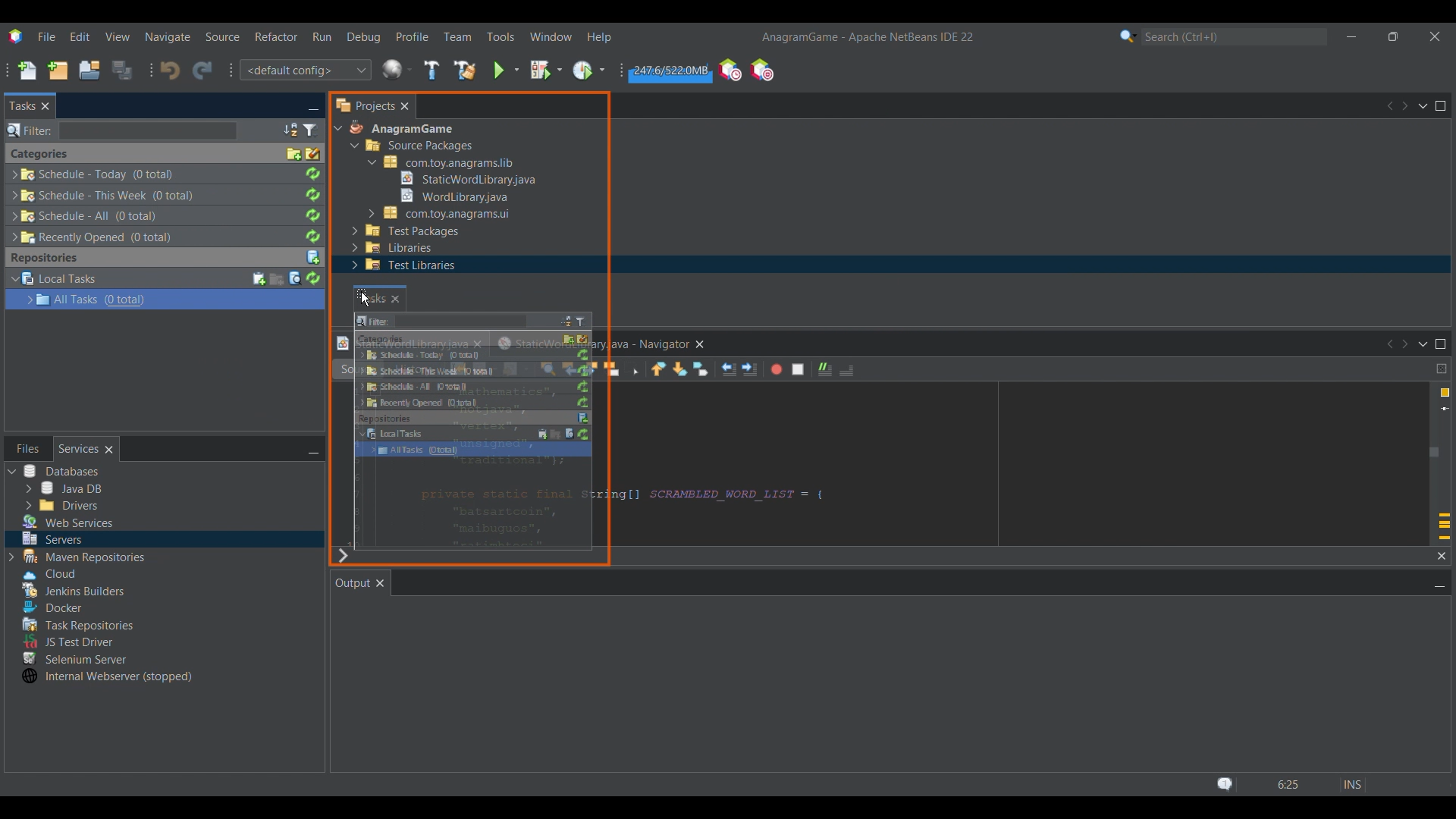 This screenshot has width=1456, height=819. What do you see at coordinates (469, 337) in the screenshot?
I see `` at bounding box center [469, 337].